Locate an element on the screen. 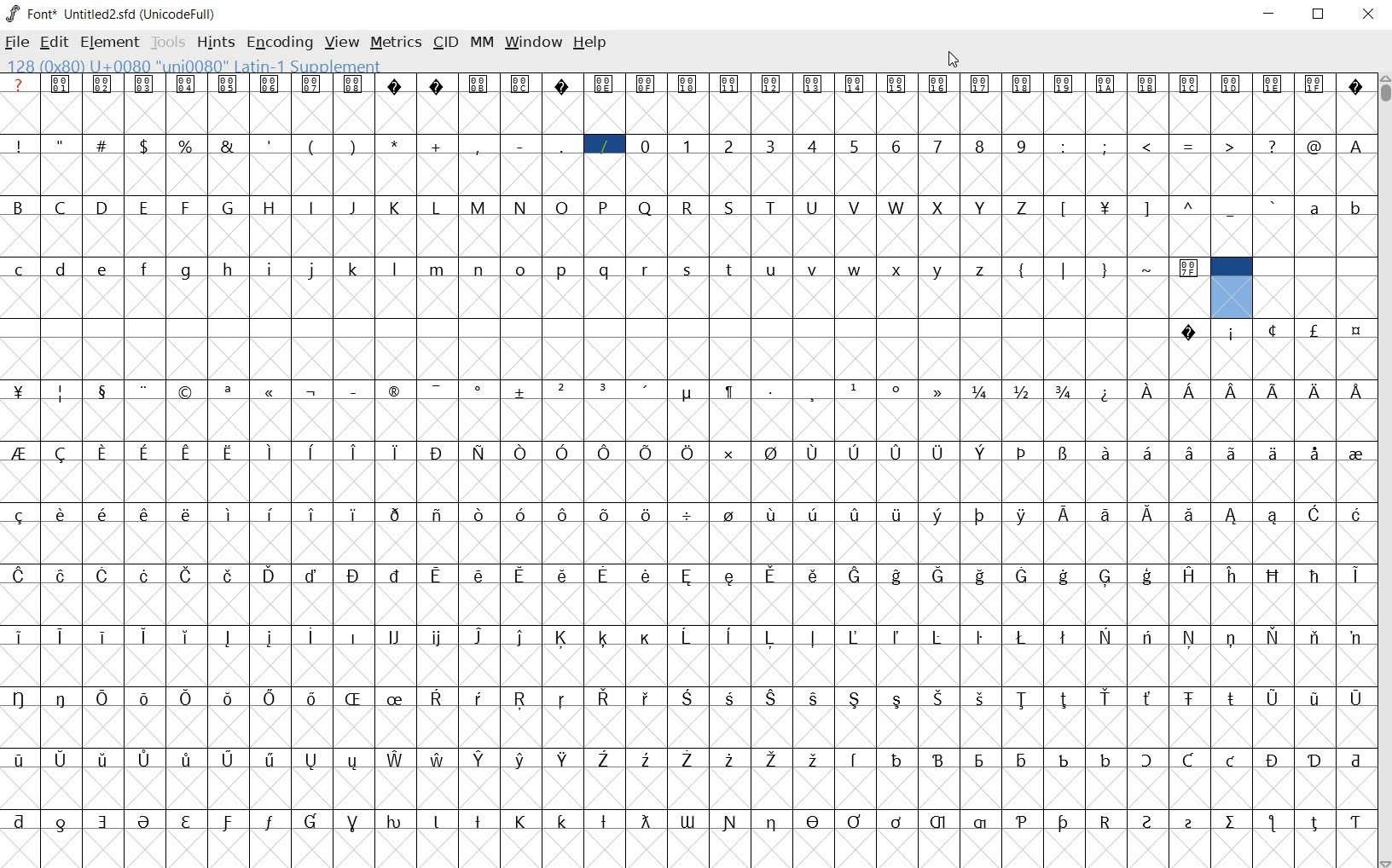 The width and height of the screenshot is (1392, 868). [ is located at coordinates (1064, 207).